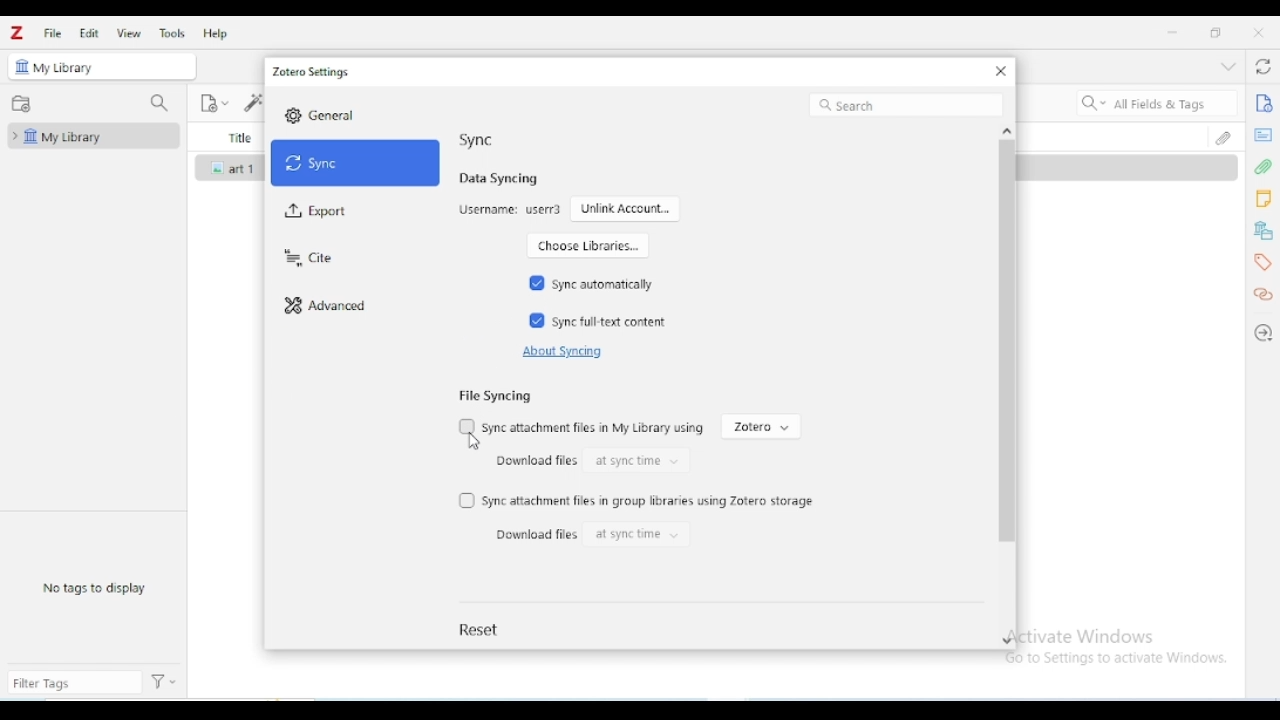 Image resolution: width=1280 pixels, height=720 pixels. What do you see at coordinates (334, 115) in the screenshot?
I see `General` at bounding box center [334, 115].